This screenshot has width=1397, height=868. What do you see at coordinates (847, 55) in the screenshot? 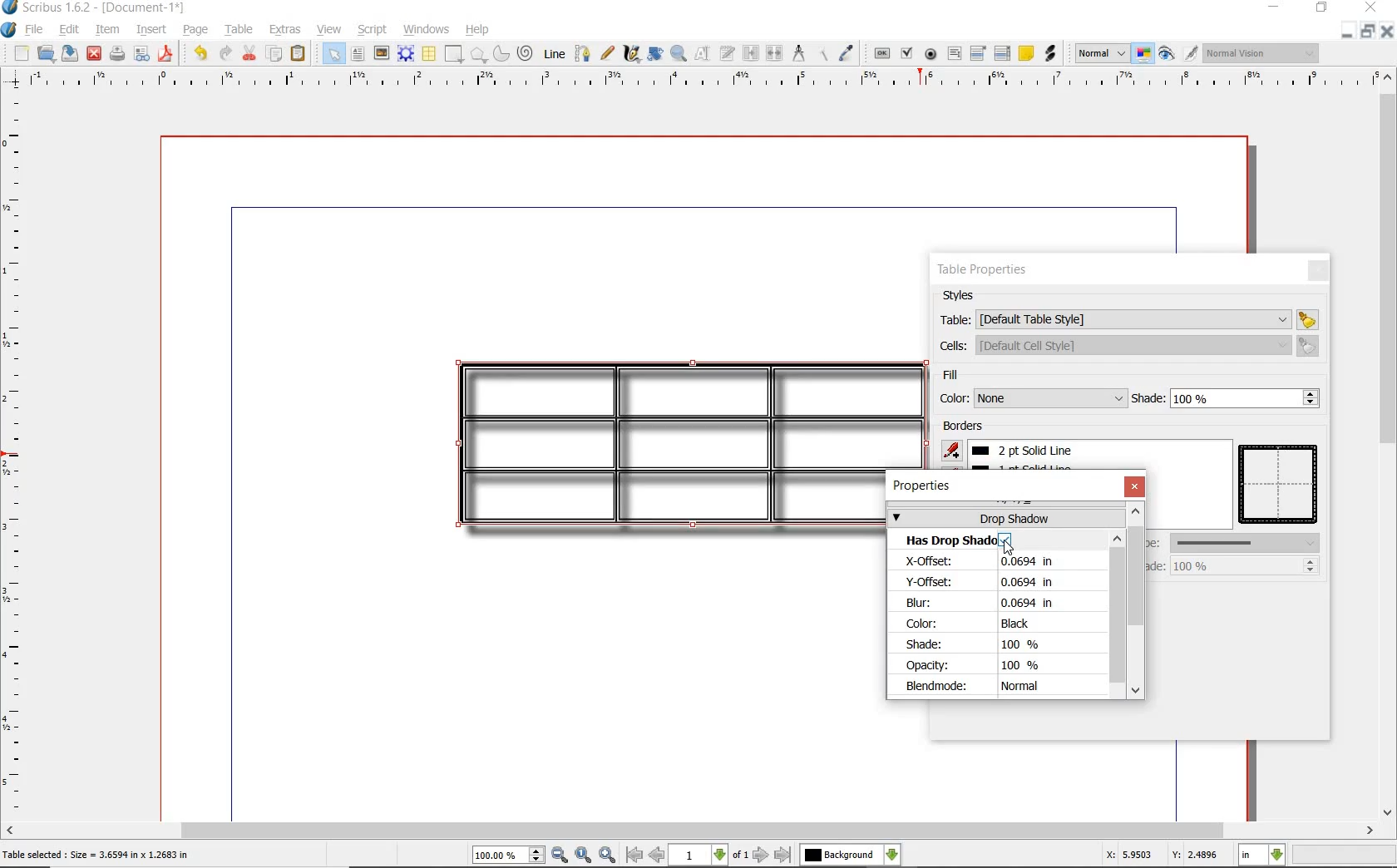
I see `eye dropper` at bounding box center [847, 55].